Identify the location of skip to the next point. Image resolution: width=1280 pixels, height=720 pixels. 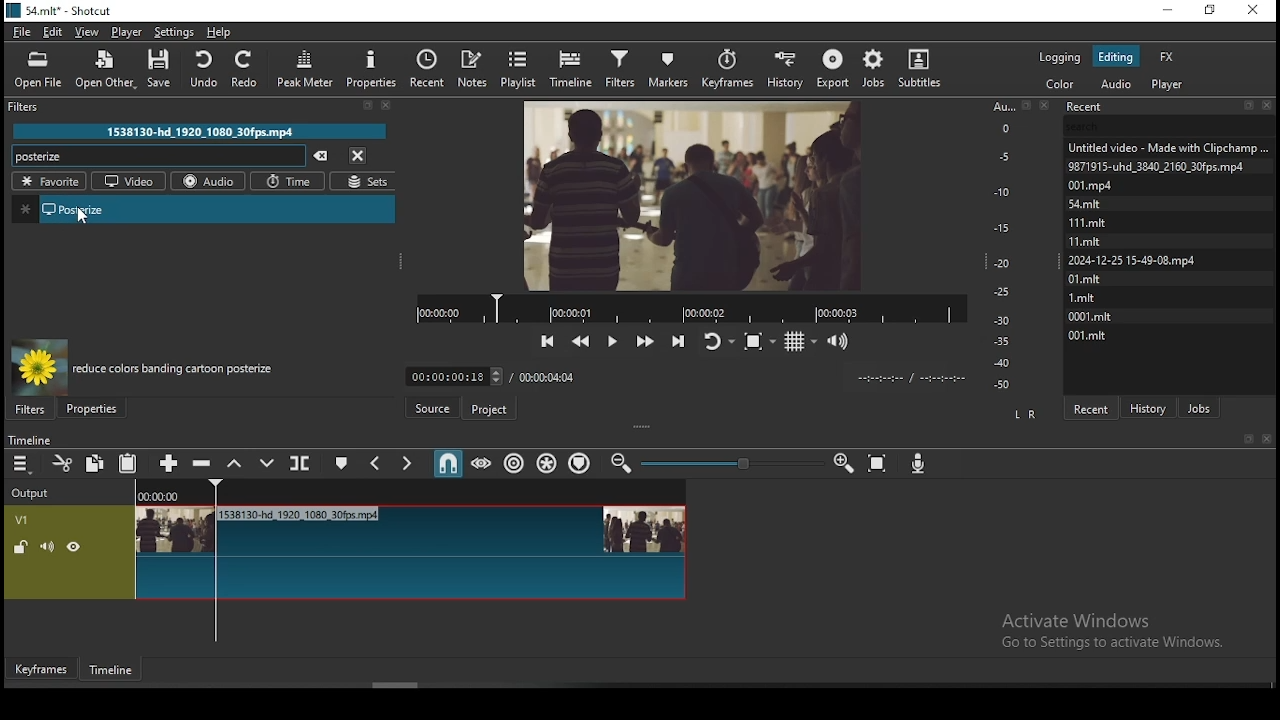
(677, 341).